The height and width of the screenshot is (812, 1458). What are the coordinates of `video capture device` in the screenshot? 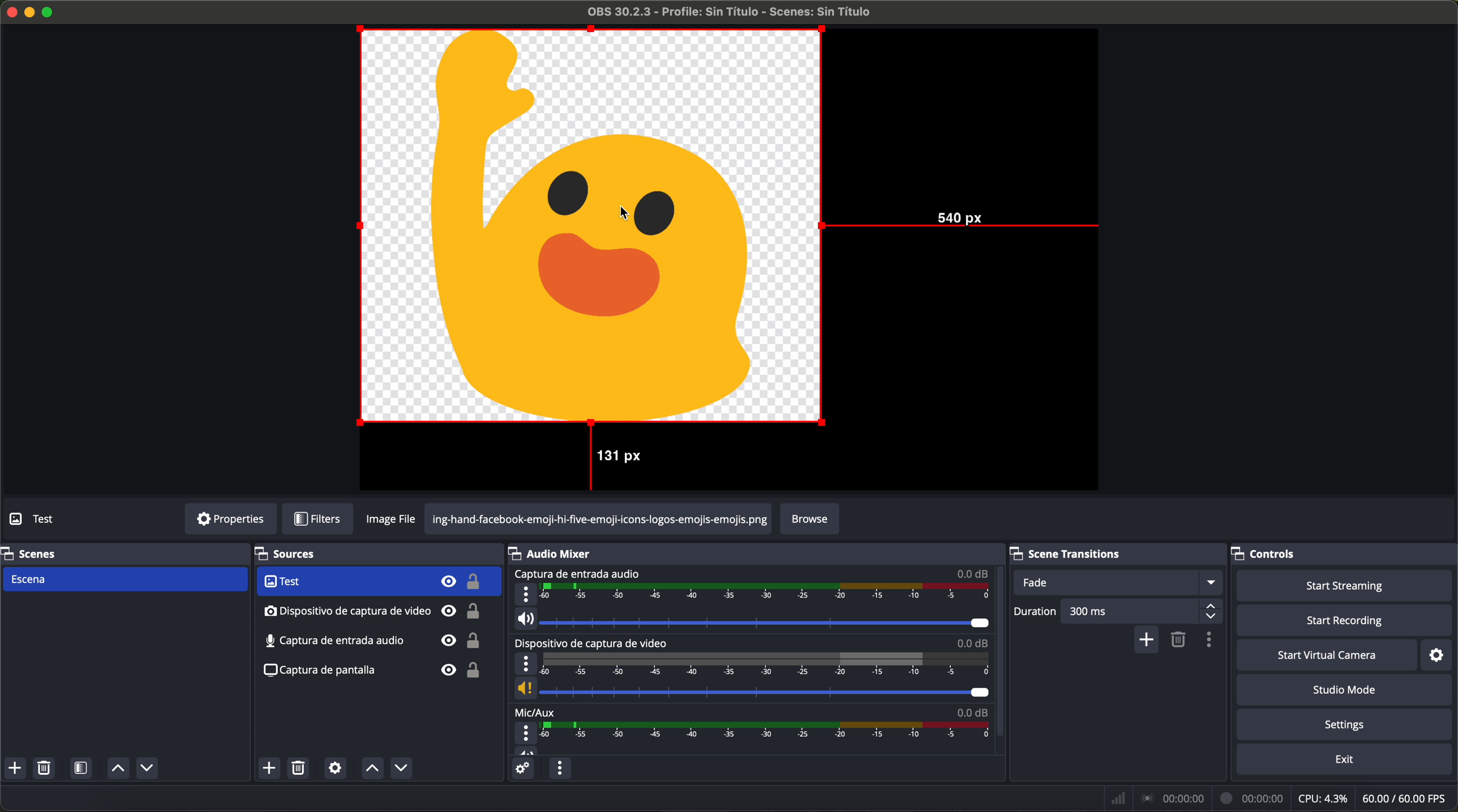 It's located at (378, 582).